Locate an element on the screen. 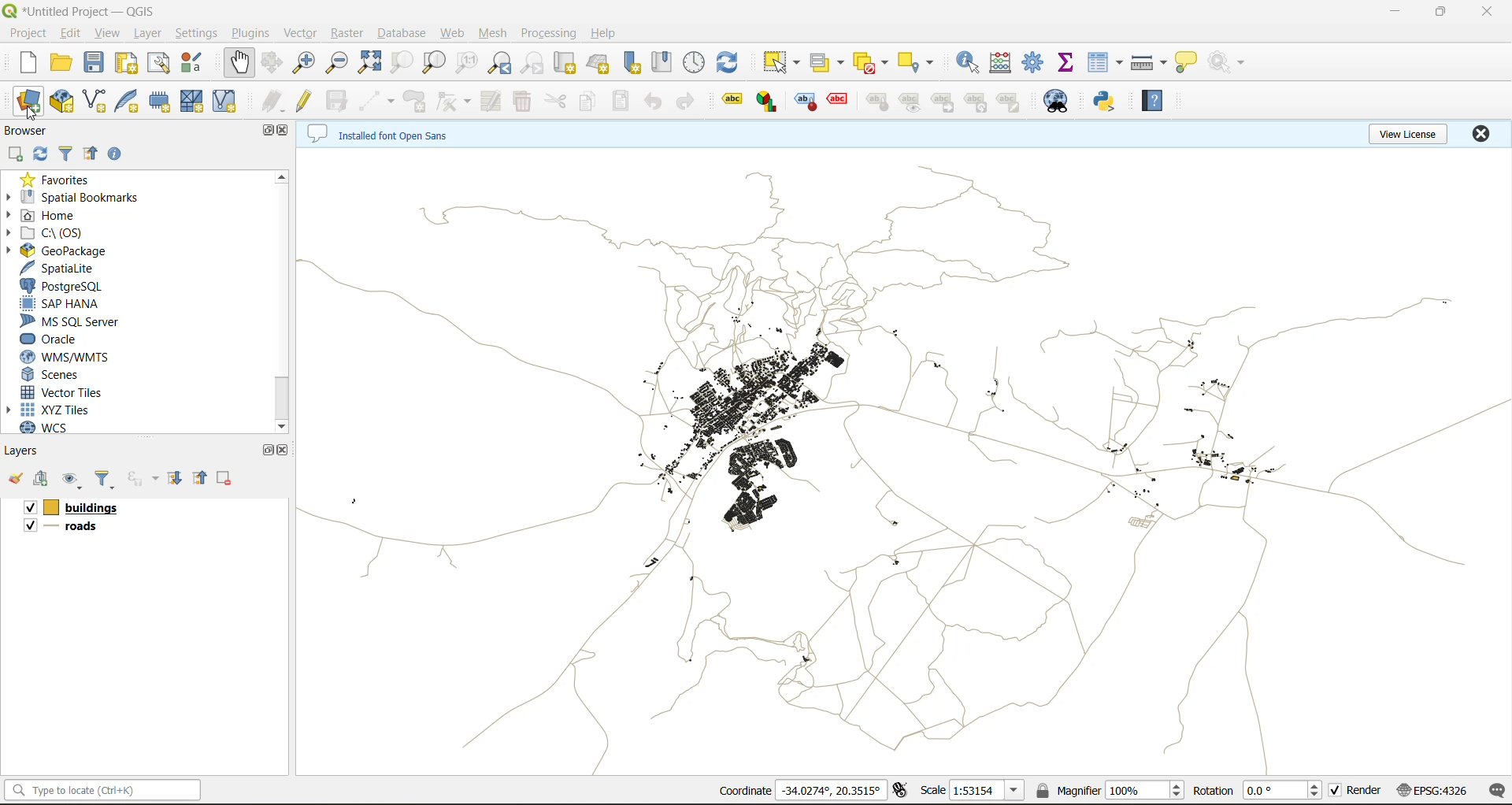 This screenshot has height=805, width=1512. zoom out is located at coordinates (338, 61).